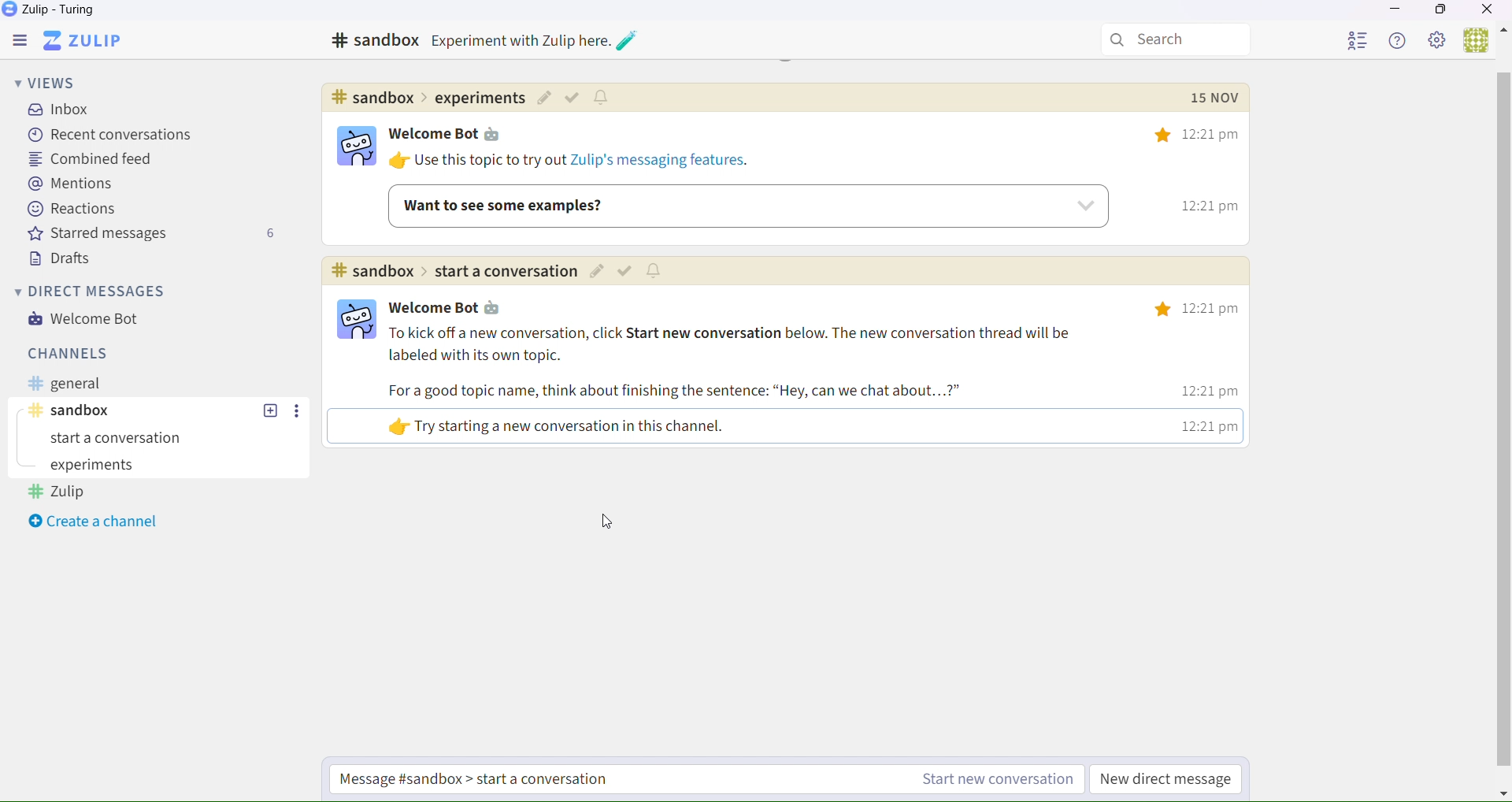 The height and width of the screenshot is (802, 1512). What do you see at coordinates (130, 411) in the screenshot?
I see `Sanbox` at bounding box center [130, 411].